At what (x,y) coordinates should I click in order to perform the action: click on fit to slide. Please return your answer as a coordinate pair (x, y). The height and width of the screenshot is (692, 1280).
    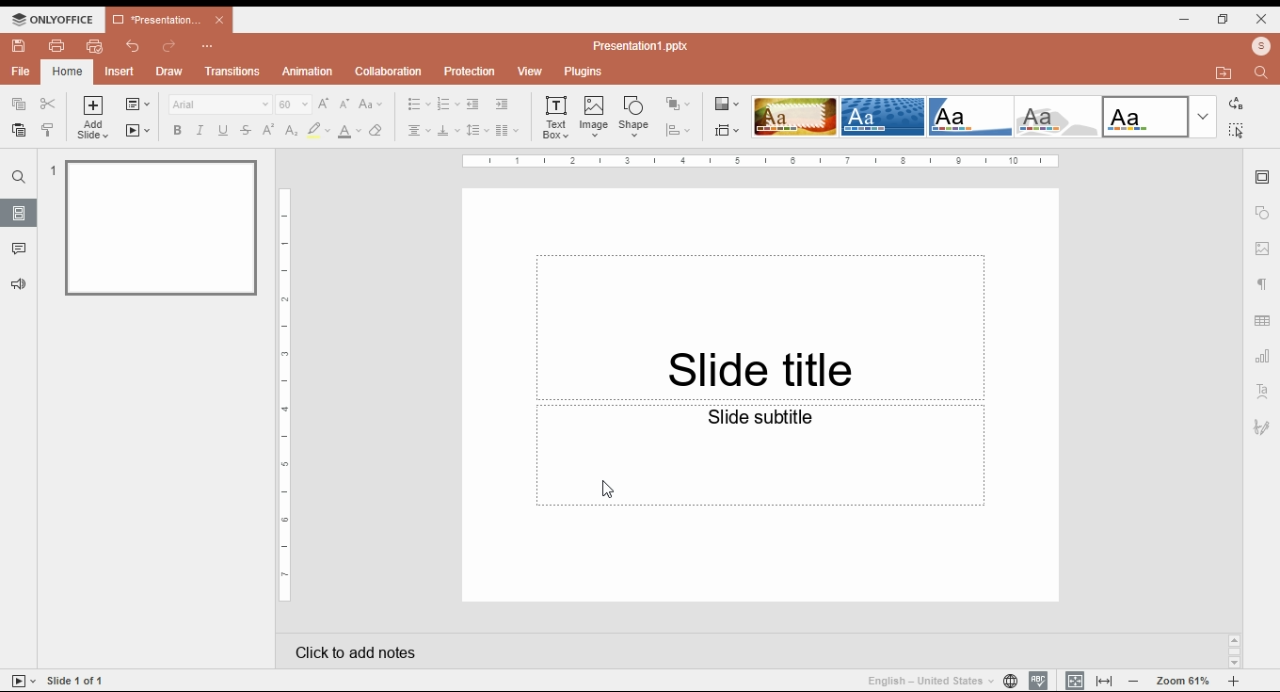
    Looking at the image, I should click on (1075, 680).